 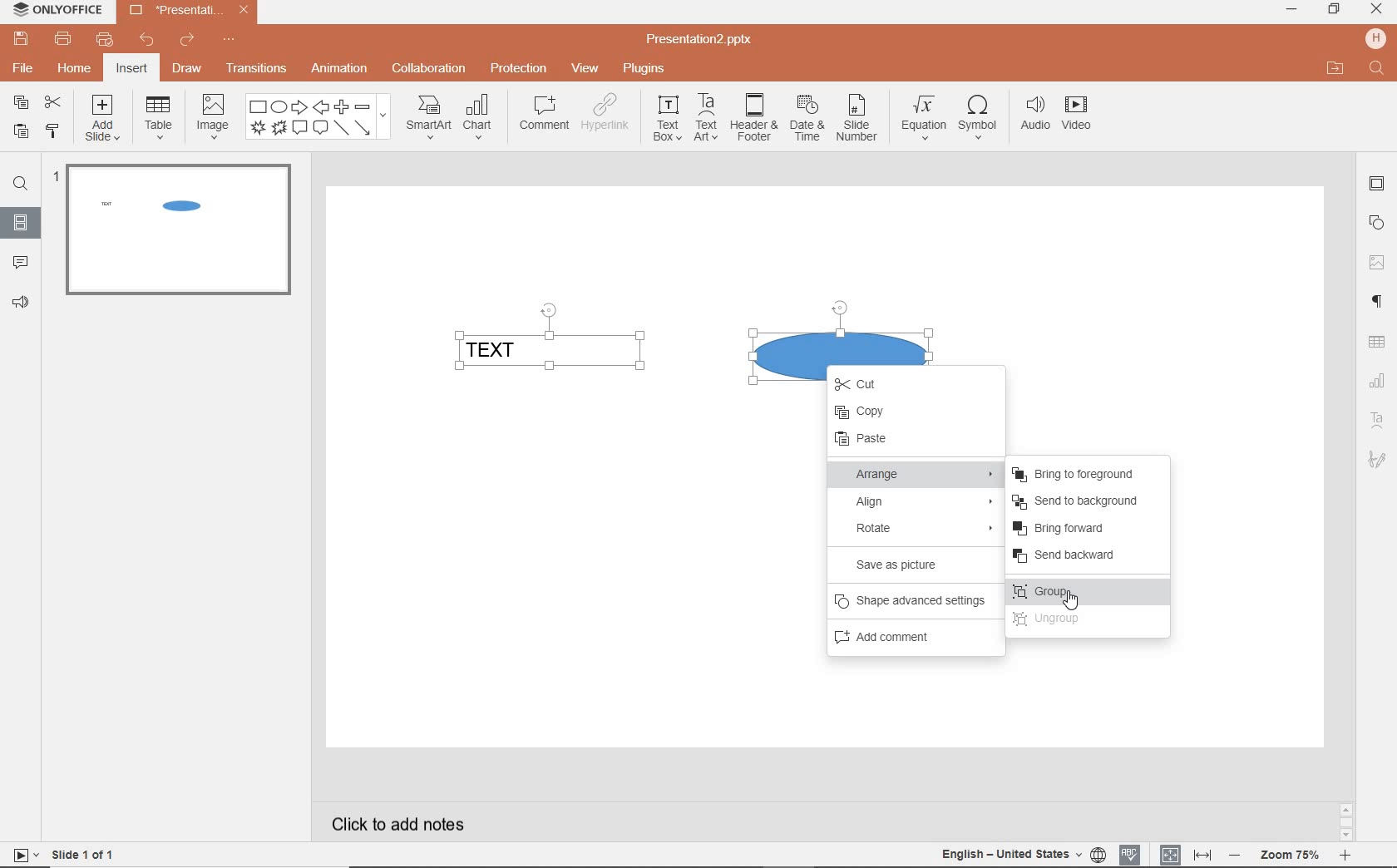 What do you see at coordinates (643, 70) in the screenshot?
I see `plugins` at bounding box center [643, 70].